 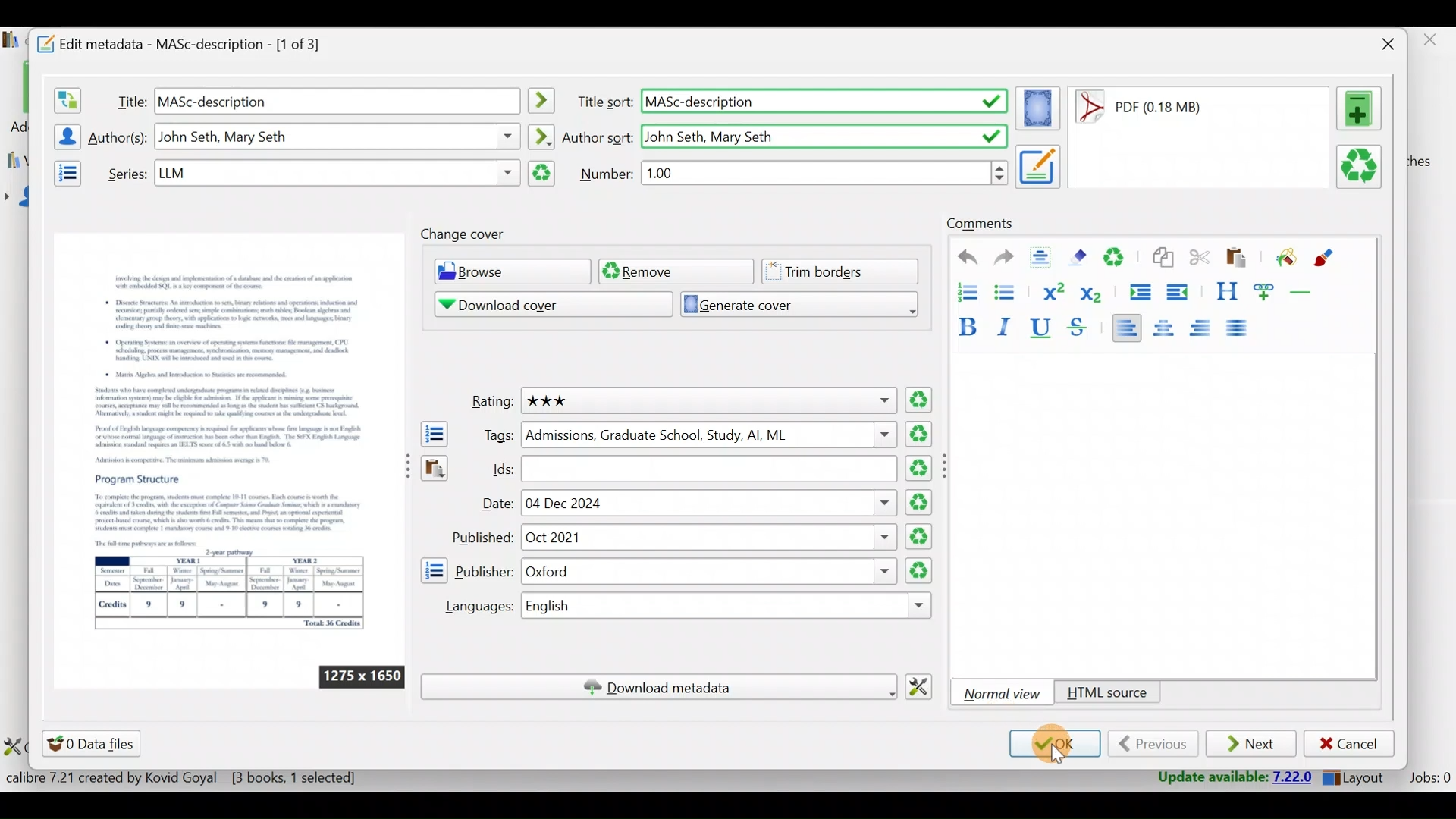 What do you see at coordinates (1159, 107) in the screenshot?
I see `Last modified` at bounding box center [1159, 107].